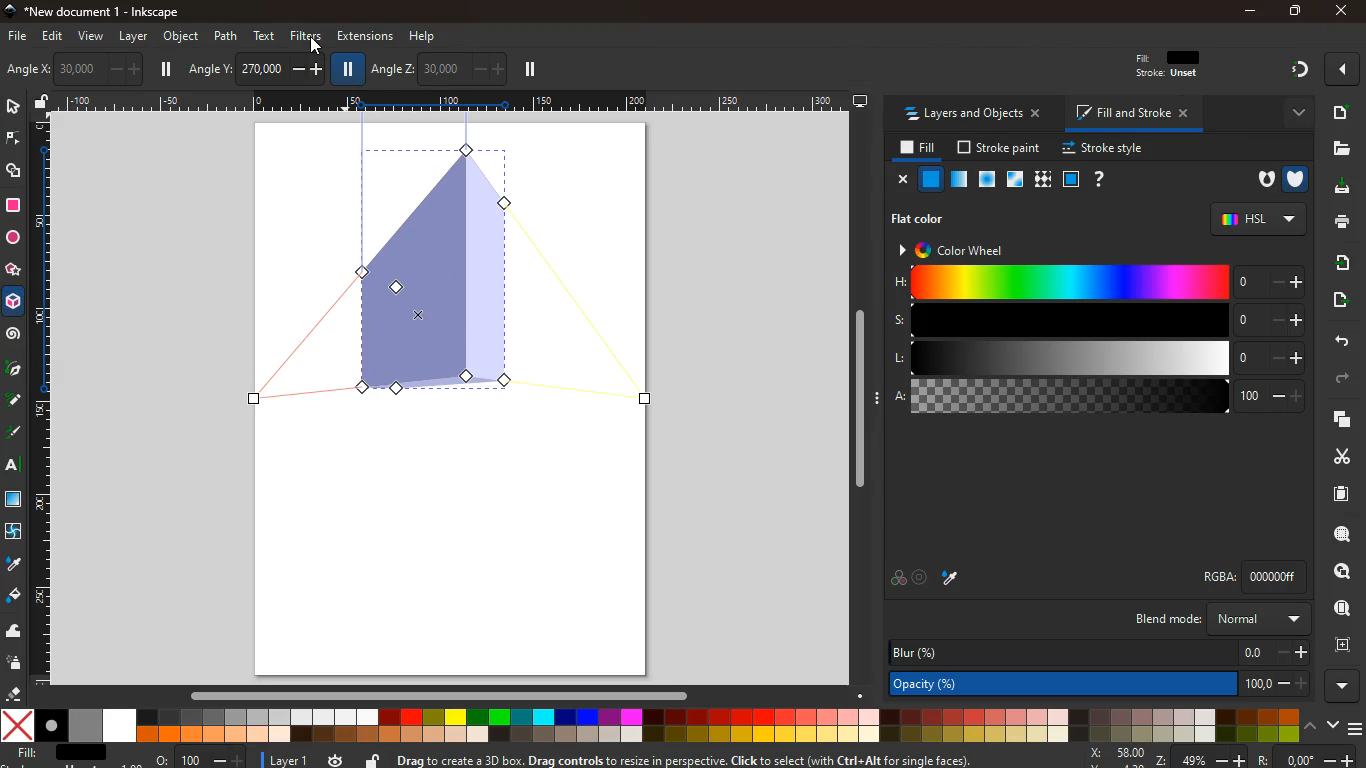 Image resolution: width=1366 pixels, height=768 pixels. I want to click on object, so click(181, 36).